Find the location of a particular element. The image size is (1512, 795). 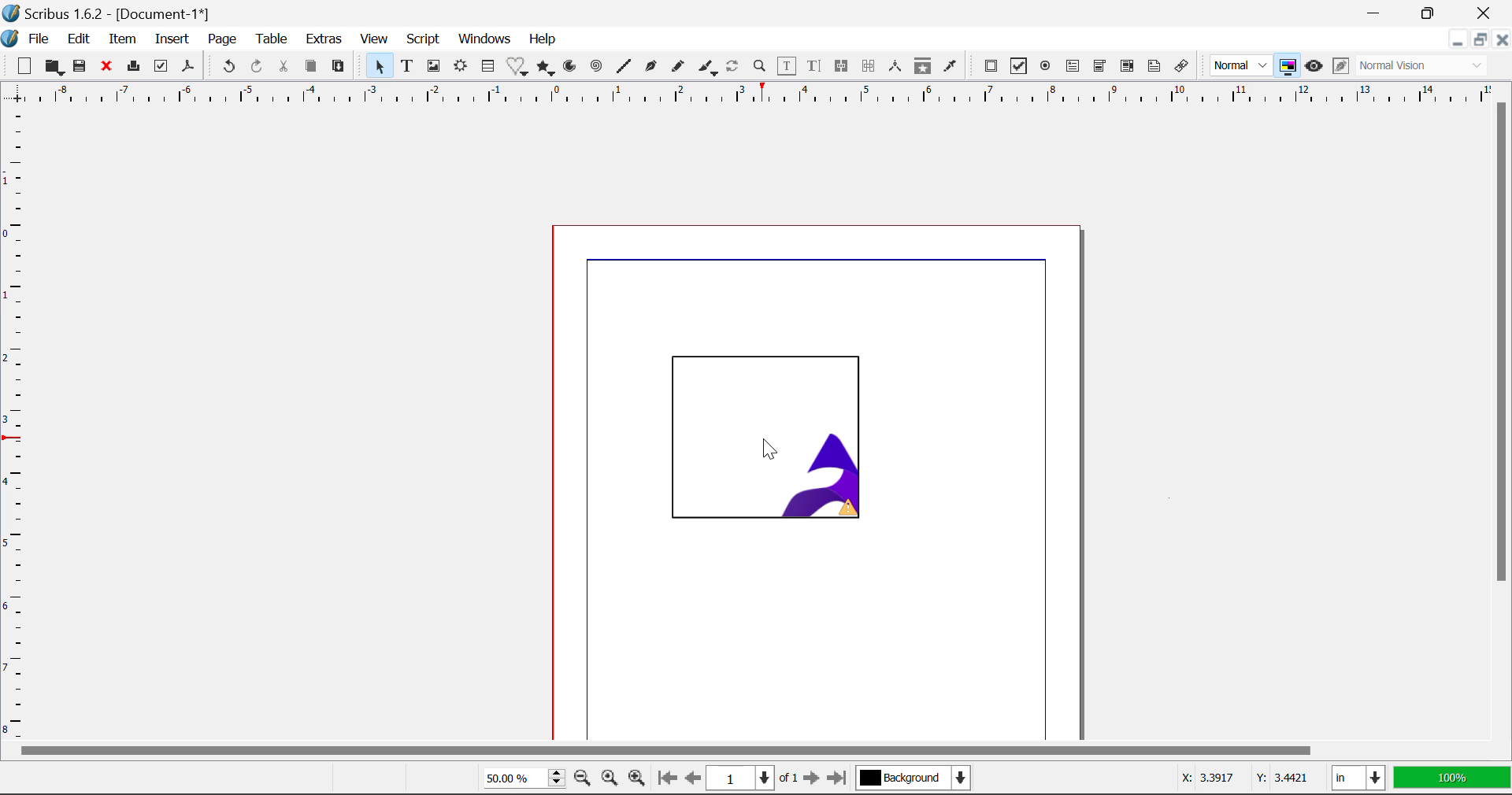

Eyedropper is located at coordinates (951, 68).